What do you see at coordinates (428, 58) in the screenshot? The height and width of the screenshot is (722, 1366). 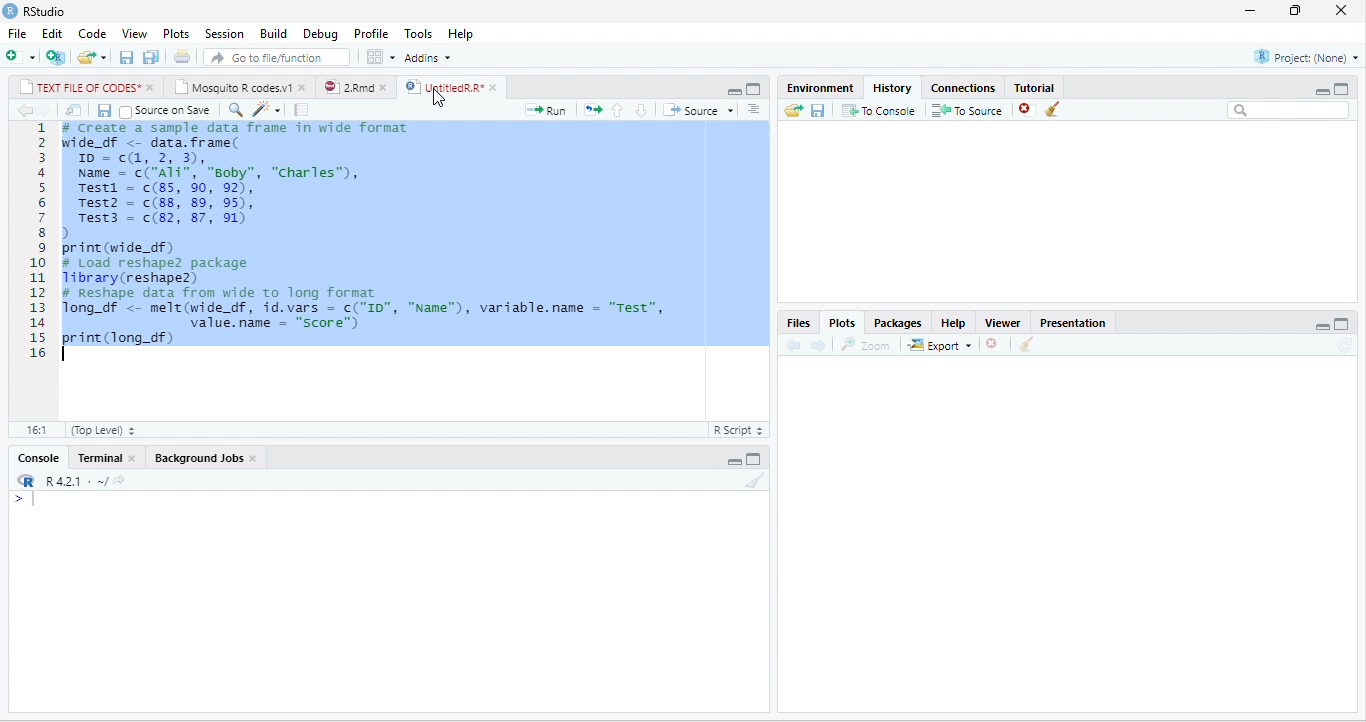 I see `Addins` at bounding box center [428, 58].